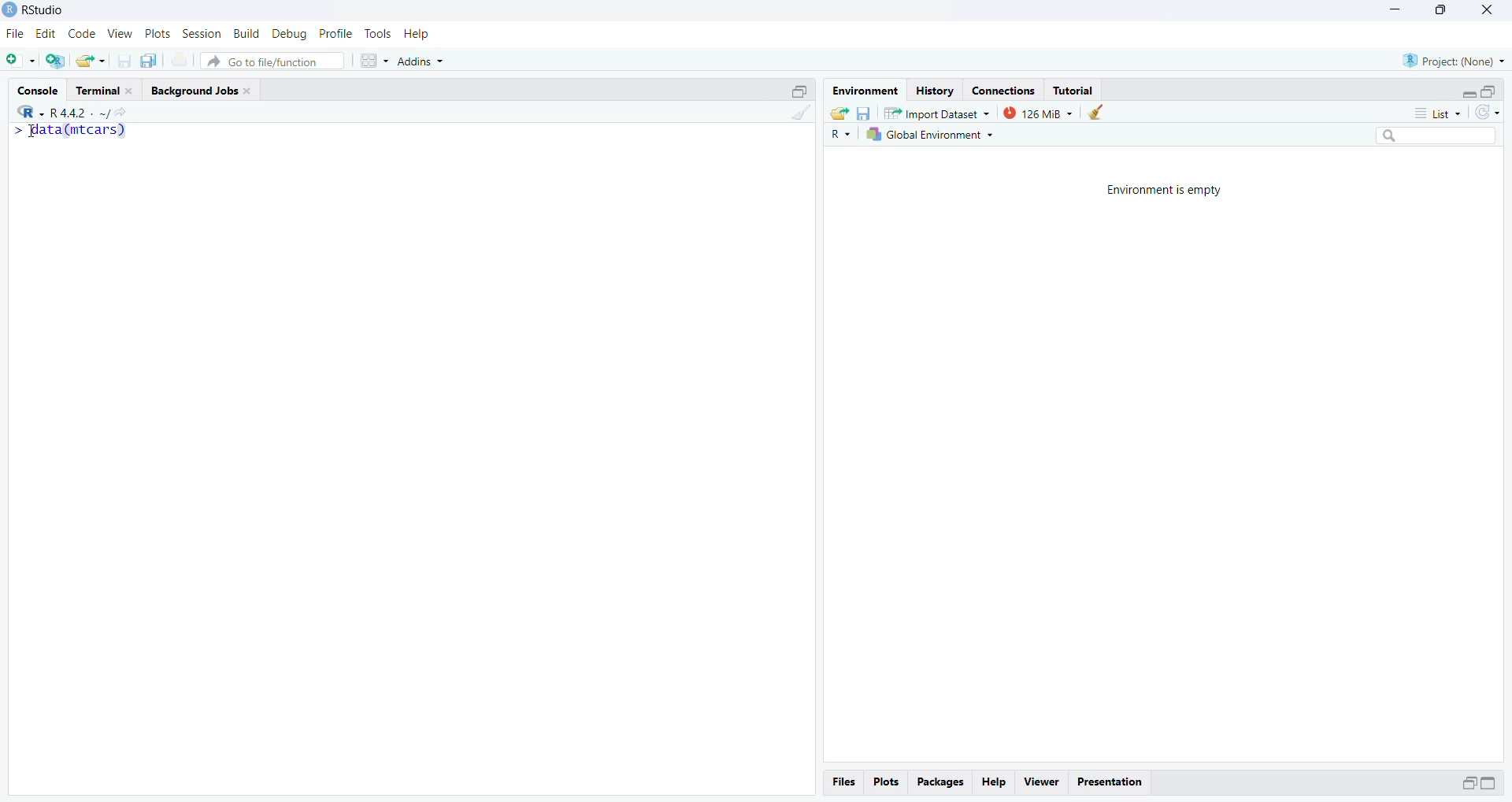 Image resolution: width=1512 pixels, height=802 pixels. What do you see at coordinates (1074, 90) in the screenshot?
I see `Tutorial` at bounding box center [1074, 90].